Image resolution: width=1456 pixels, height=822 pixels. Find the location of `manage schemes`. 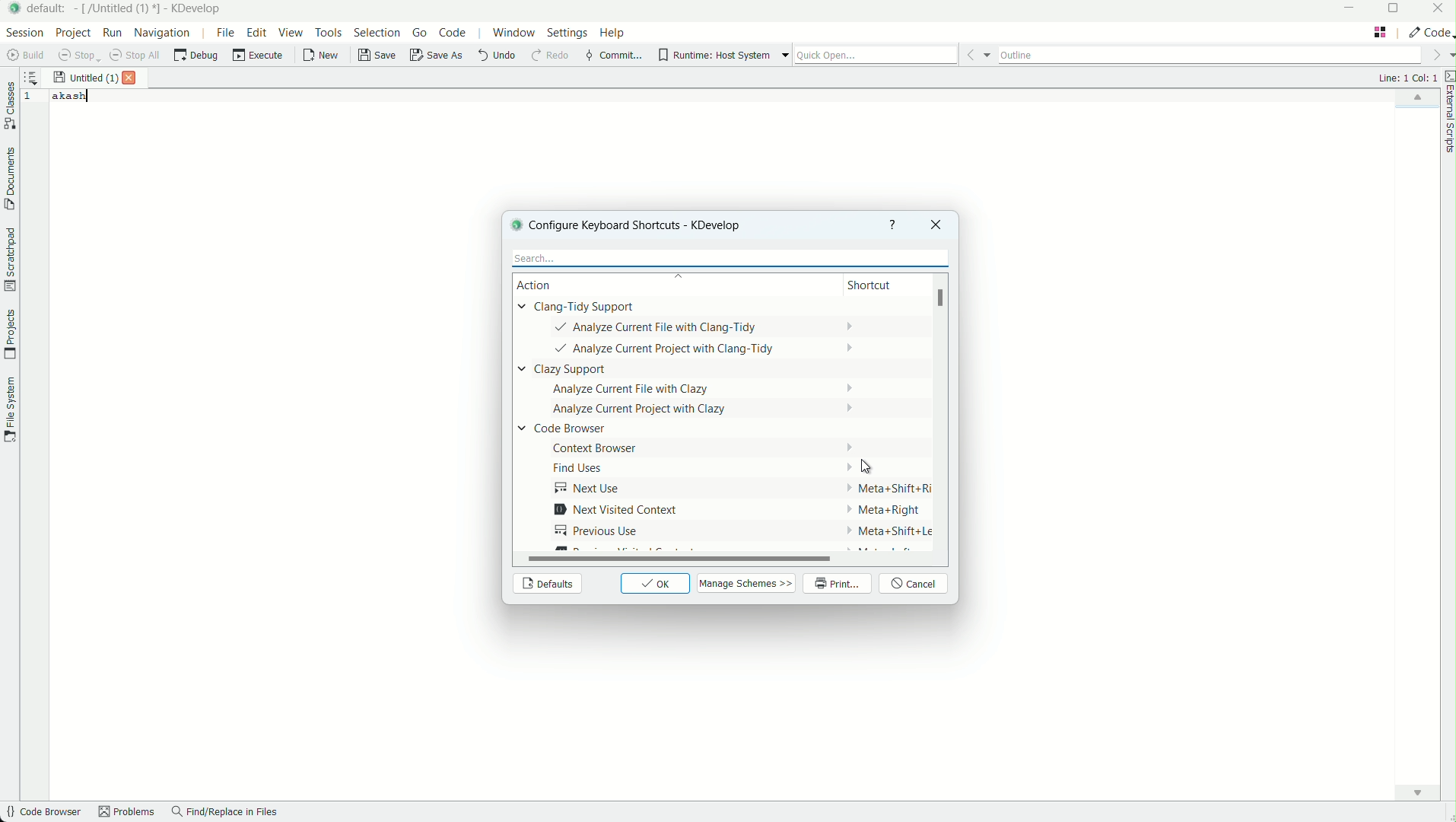

manage schemes is located at coordinates (748, 583).